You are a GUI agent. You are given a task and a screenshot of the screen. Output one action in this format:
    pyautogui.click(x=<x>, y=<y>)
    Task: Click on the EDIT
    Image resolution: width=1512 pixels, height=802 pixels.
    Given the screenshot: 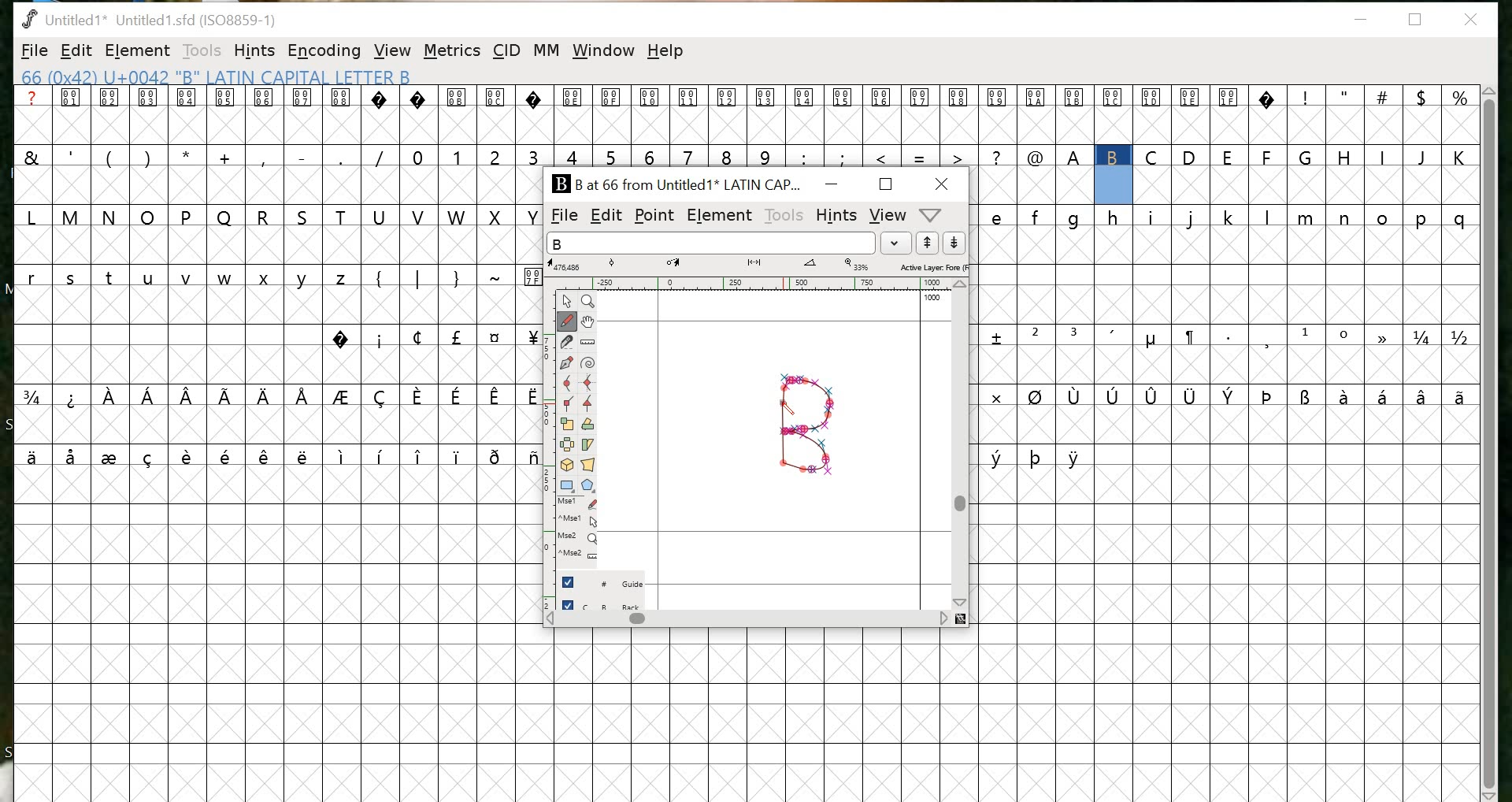 What is the action you would take?
    pyautogui.click(x=605, y=217)
    